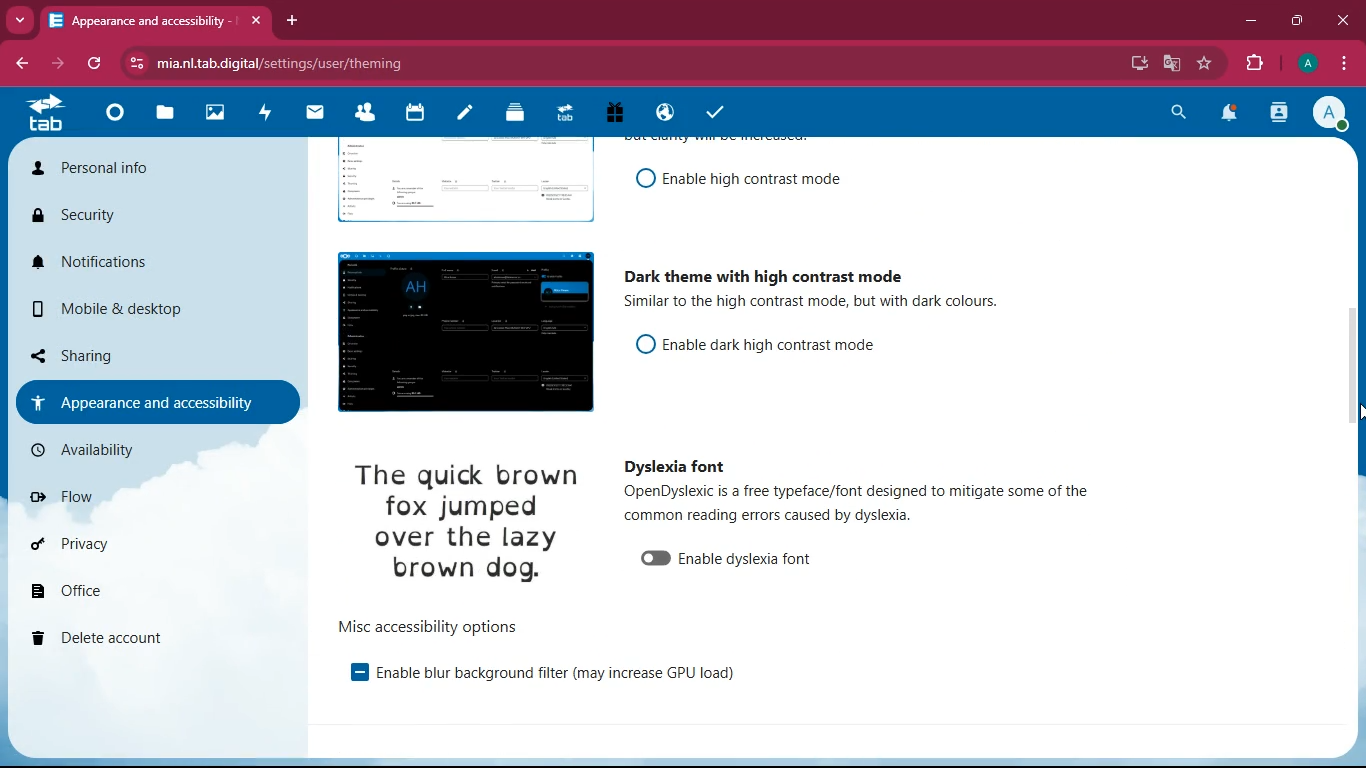  What do you see at coordinates (49, 112) in the screenshot?
I see `tab` at bounding box center [49, 112].